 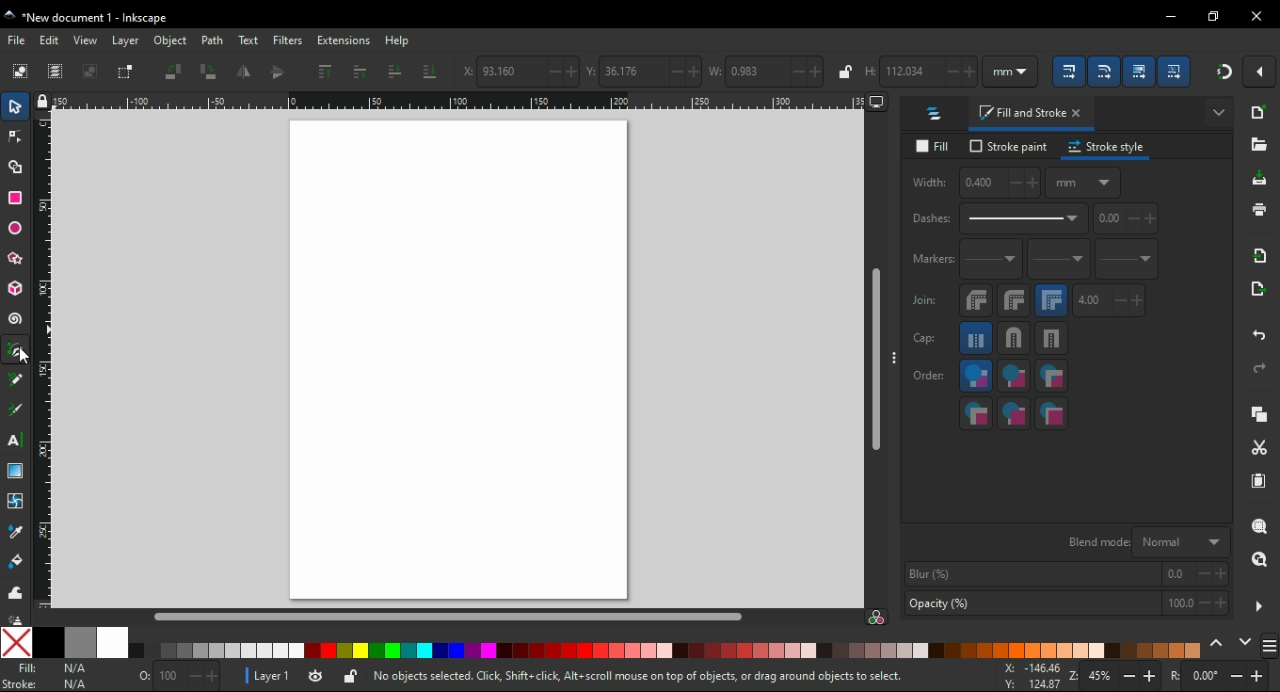 What do you see at coordinates (403, 651) in the screenshot?
I see `color tone pallete` at bounding box center [403, 651].